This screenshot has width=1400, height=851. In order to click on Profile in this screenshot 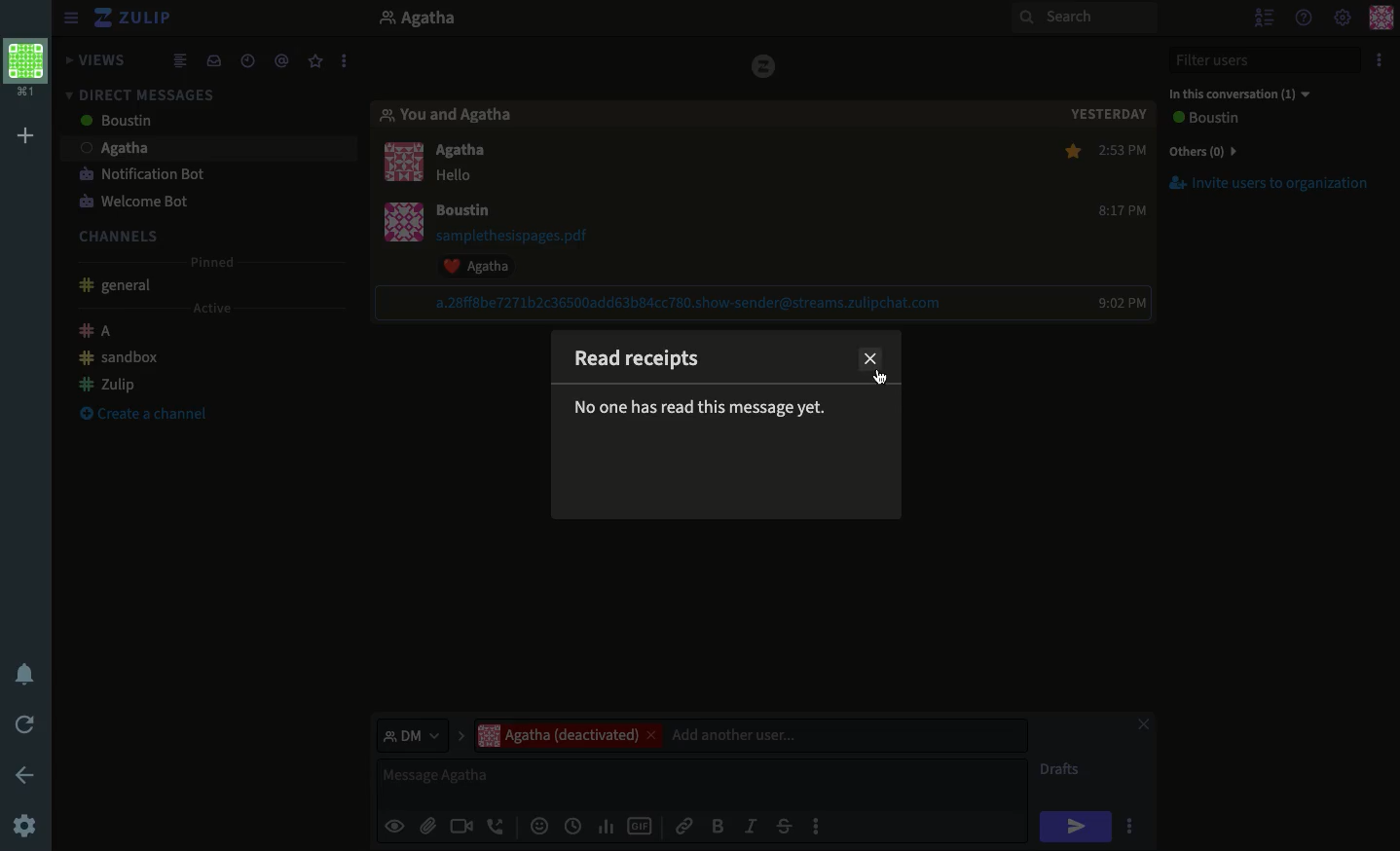, I will do `click(409, 199)`.